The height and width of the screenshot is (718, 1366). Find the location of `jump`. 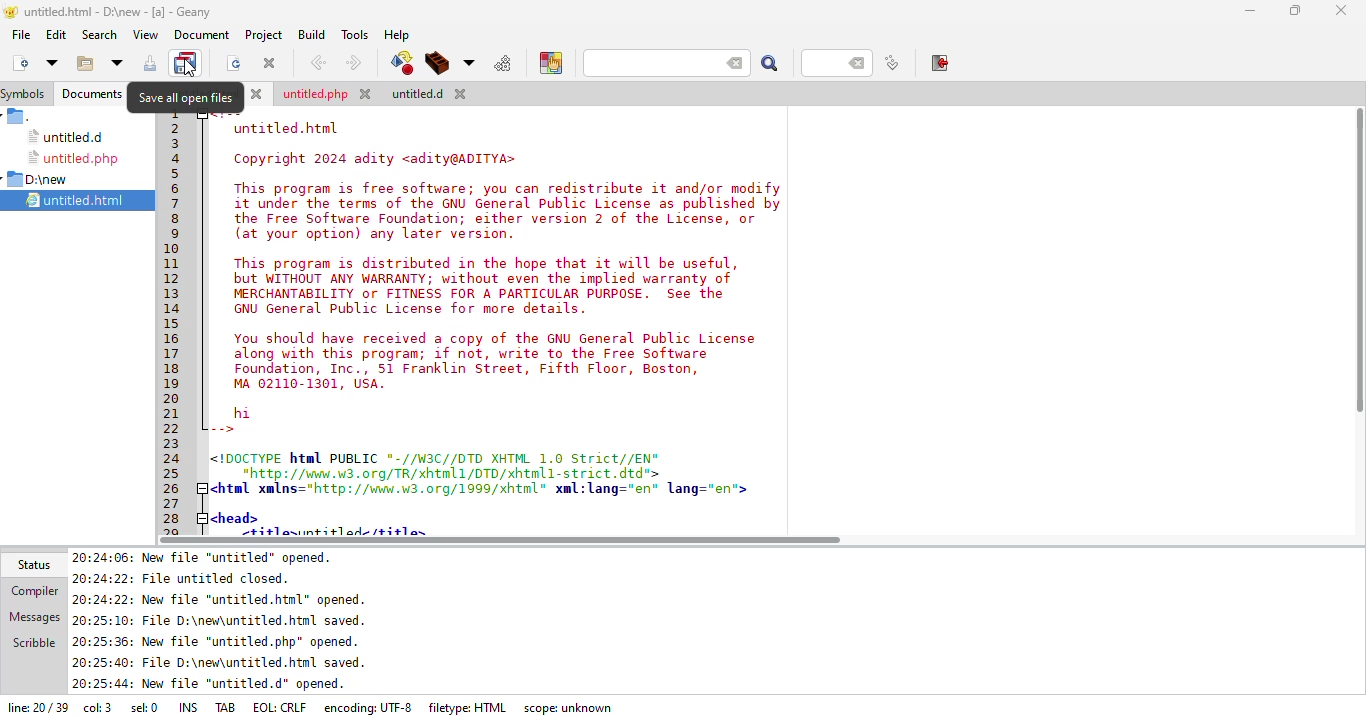

jump is located at coordinates (894, 63).